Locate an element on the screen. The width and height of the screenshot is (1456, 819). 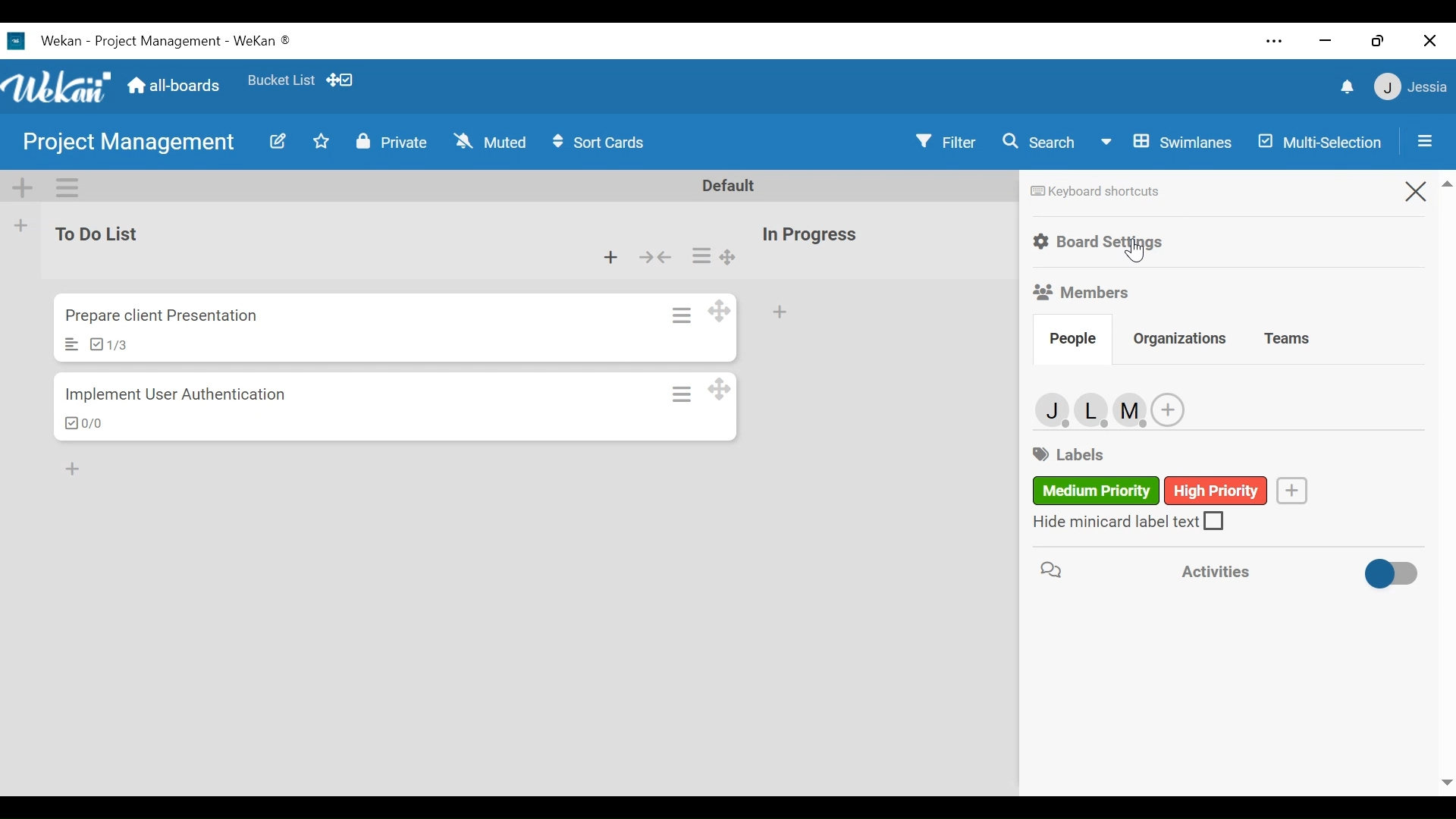
Board Title is located at coordinates (131, 145).